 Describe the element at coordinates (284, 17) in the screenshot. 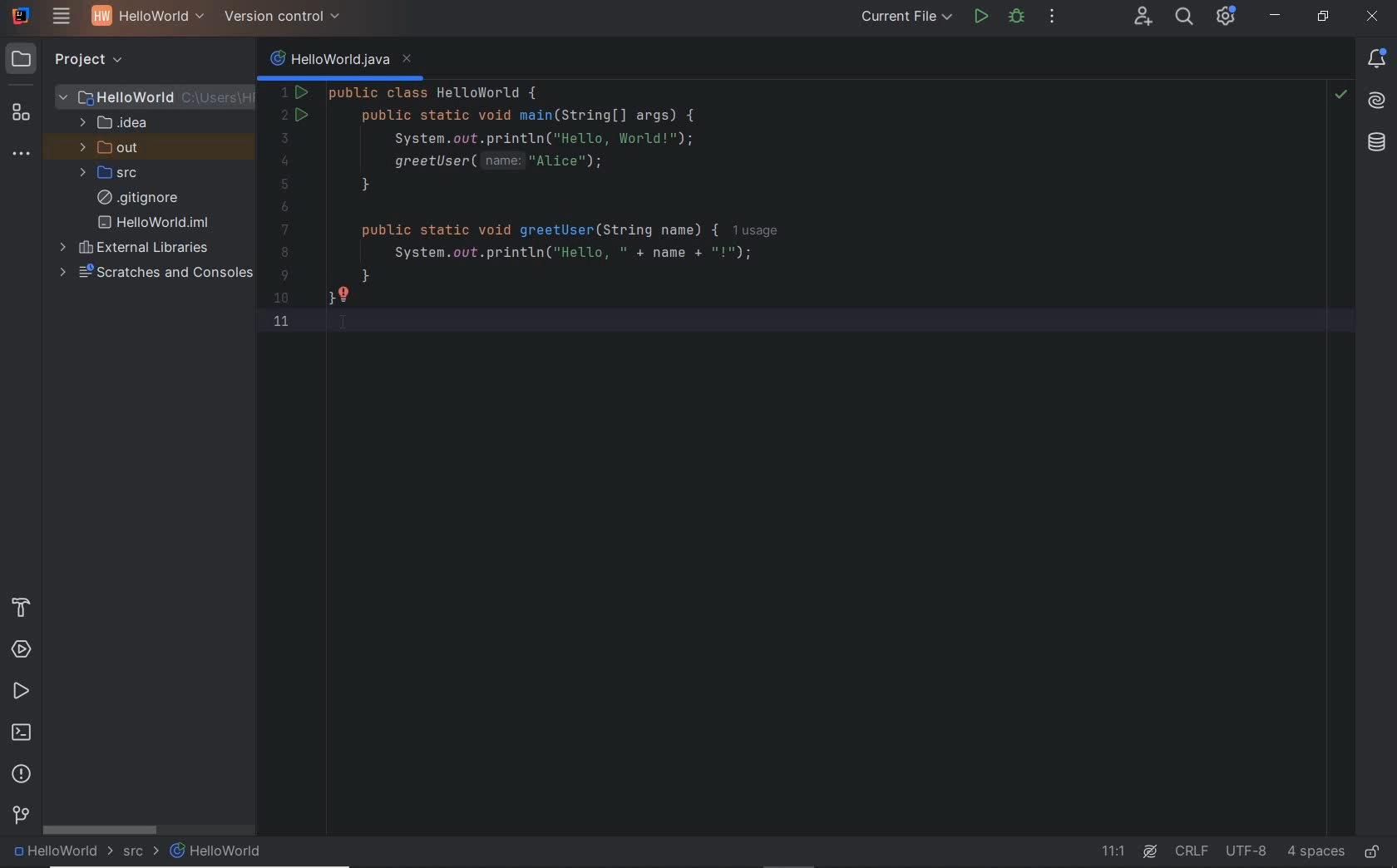

I see `version control` at that location.